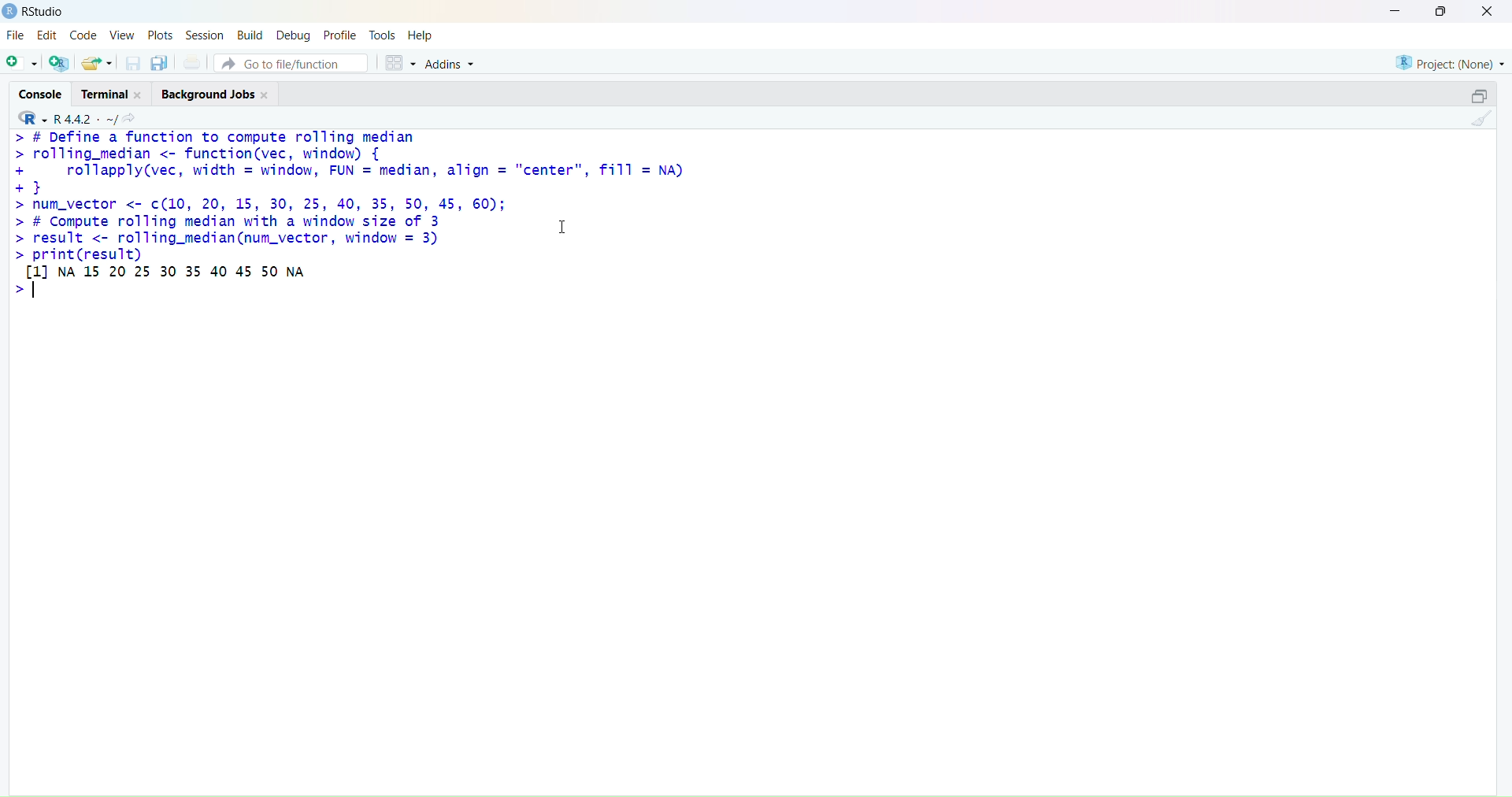  What do you see at coordinates (1488, 10) in the screenshot?
I see `close` at bounding box center [1488, 10].